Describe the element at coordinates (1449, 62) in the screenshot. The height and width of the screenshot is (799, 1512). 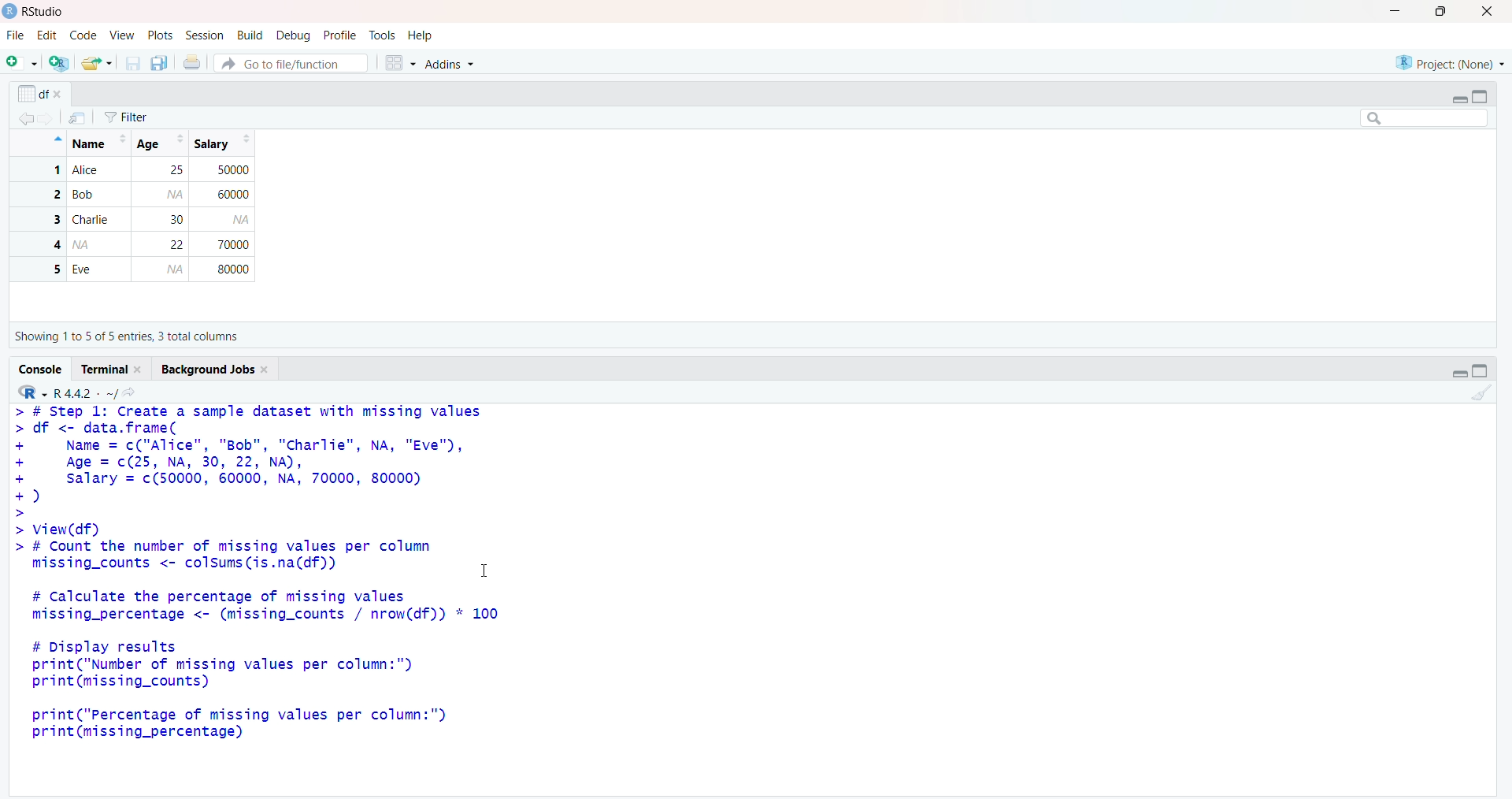
I see `Project (None)` at that location.